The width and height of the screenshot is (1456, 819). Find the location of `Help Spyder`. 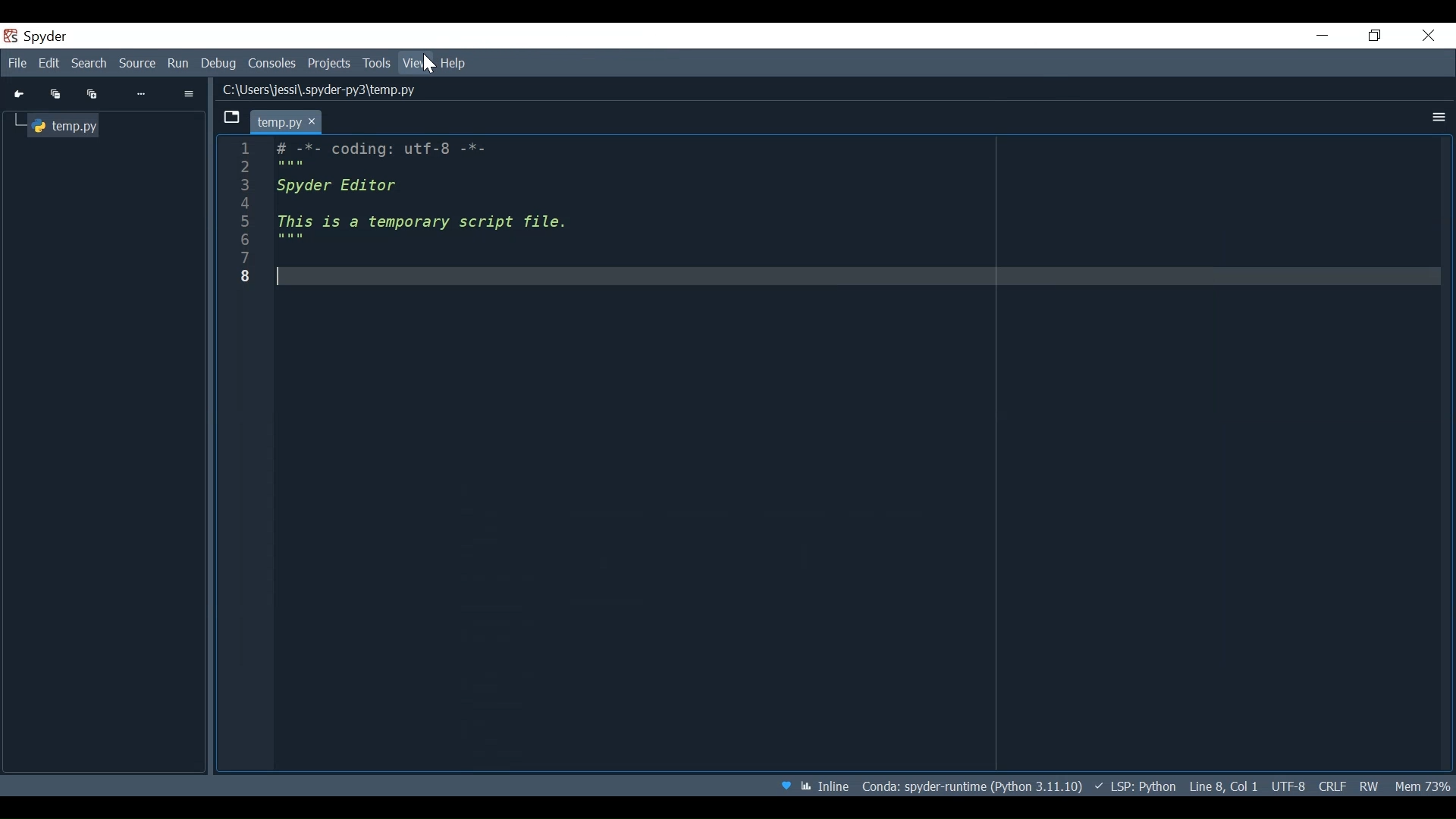

Help Spyder is located at coordinates (784, 785).